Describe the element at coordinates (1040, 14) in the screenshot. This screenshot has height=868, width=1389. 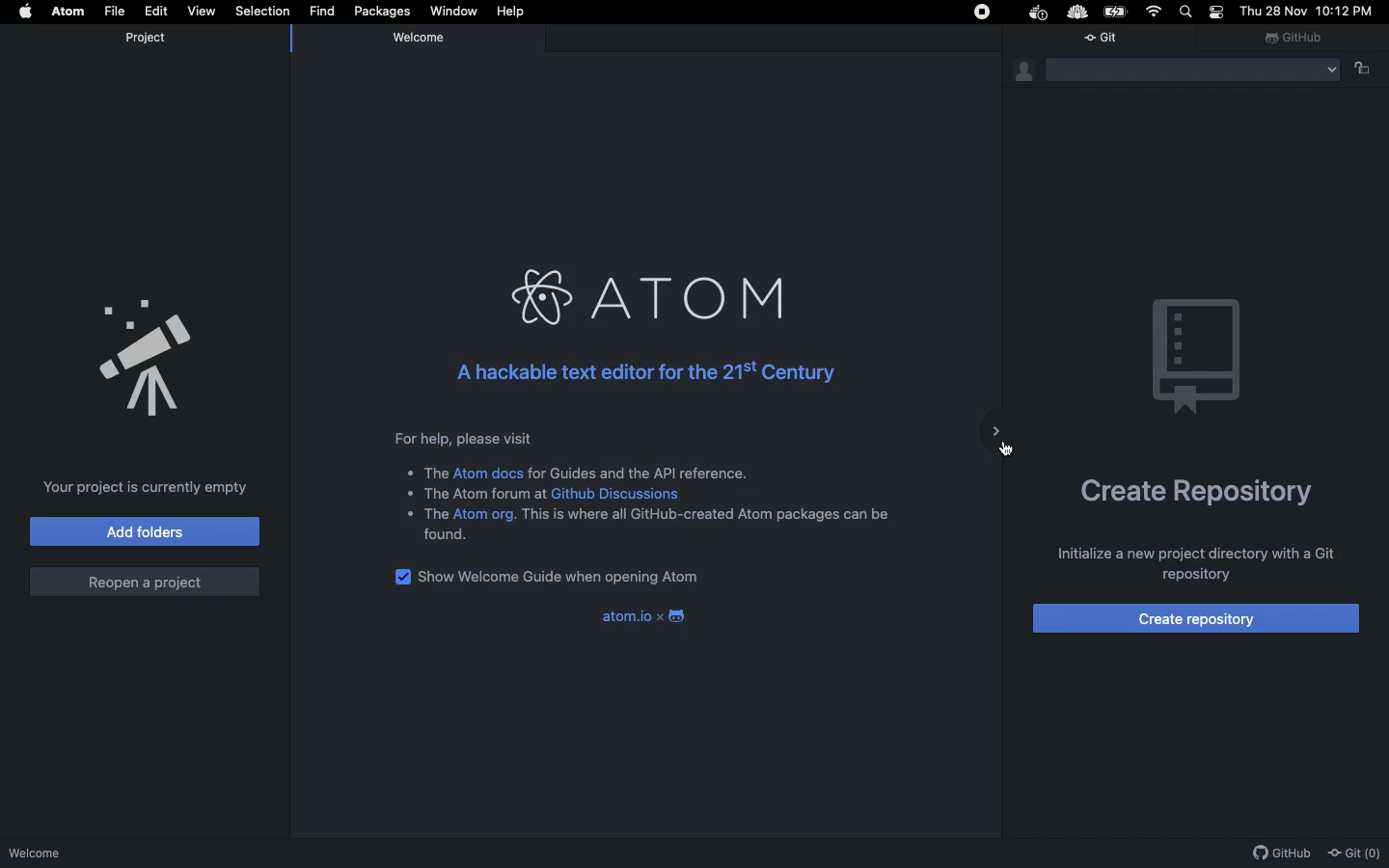
I see `Docker Extension` at that location.